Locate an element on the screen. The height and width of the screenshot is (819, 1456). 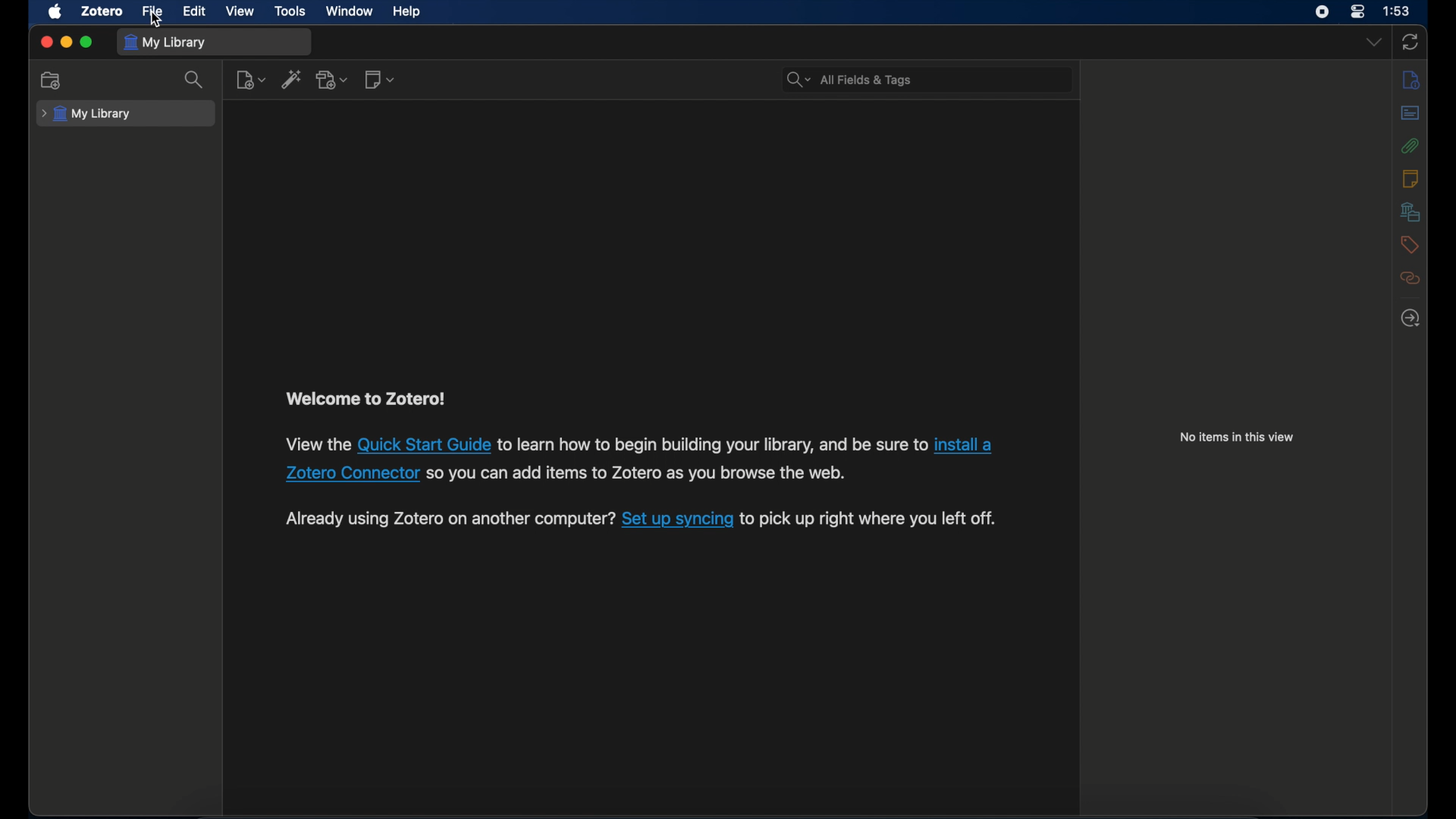
help is located at coordinates (409, 12).